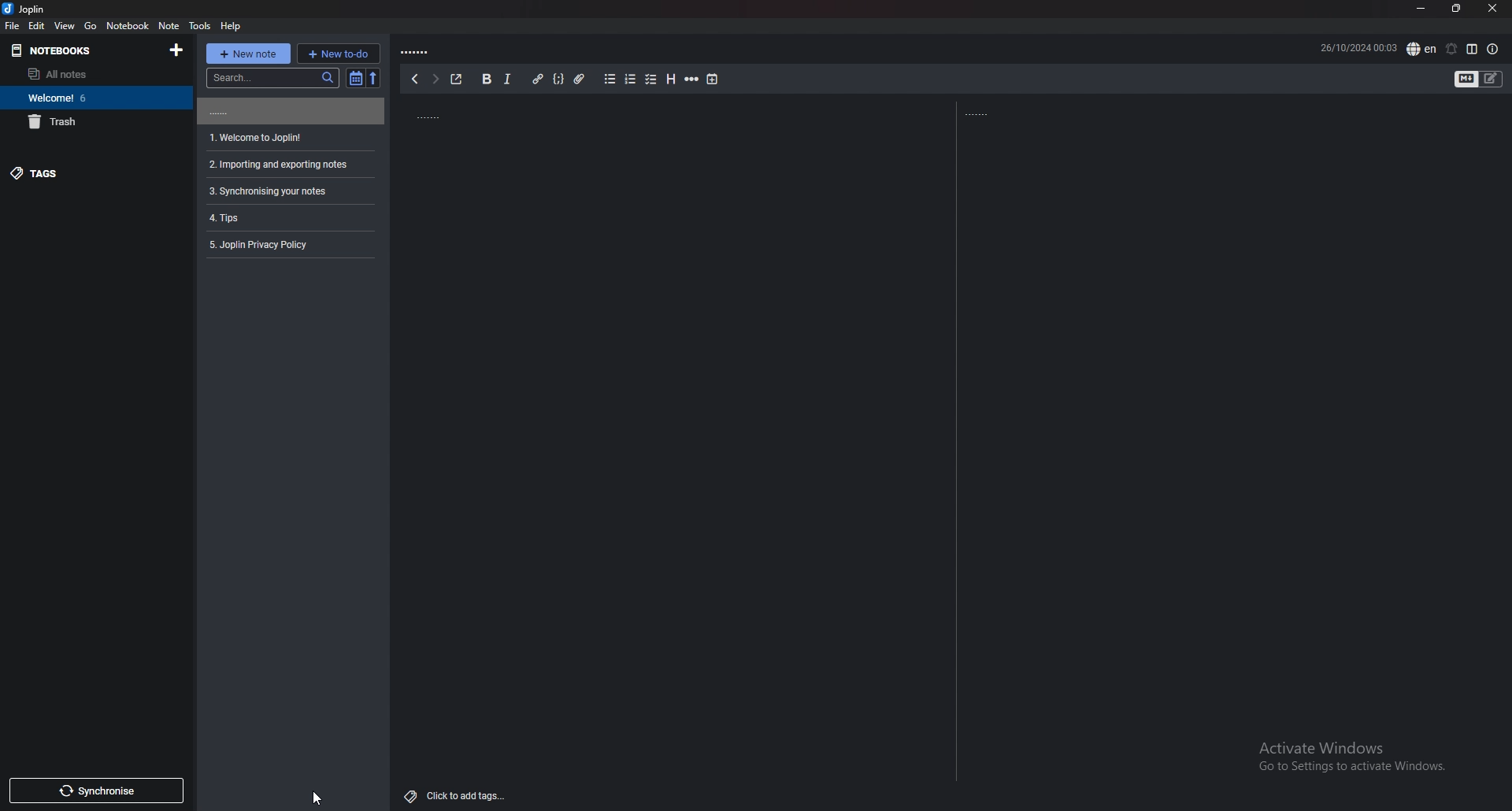  What do you see at coordinates (413, 79) in the screenshot?
I see `back` at bounding box center [413, 79].